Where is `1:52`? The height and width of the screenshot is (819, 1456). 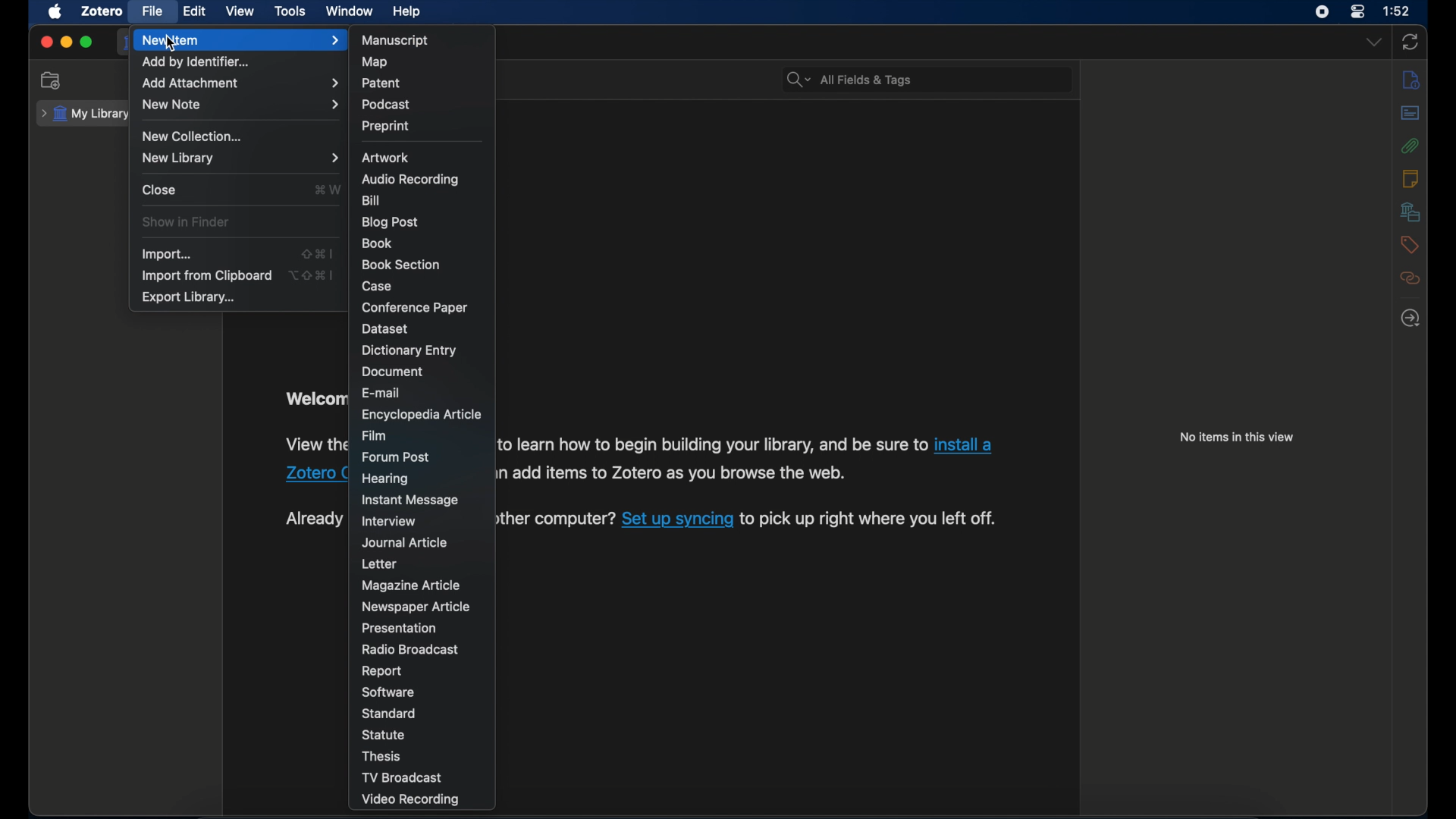
1:52 is located at coordinates (1398, 11).